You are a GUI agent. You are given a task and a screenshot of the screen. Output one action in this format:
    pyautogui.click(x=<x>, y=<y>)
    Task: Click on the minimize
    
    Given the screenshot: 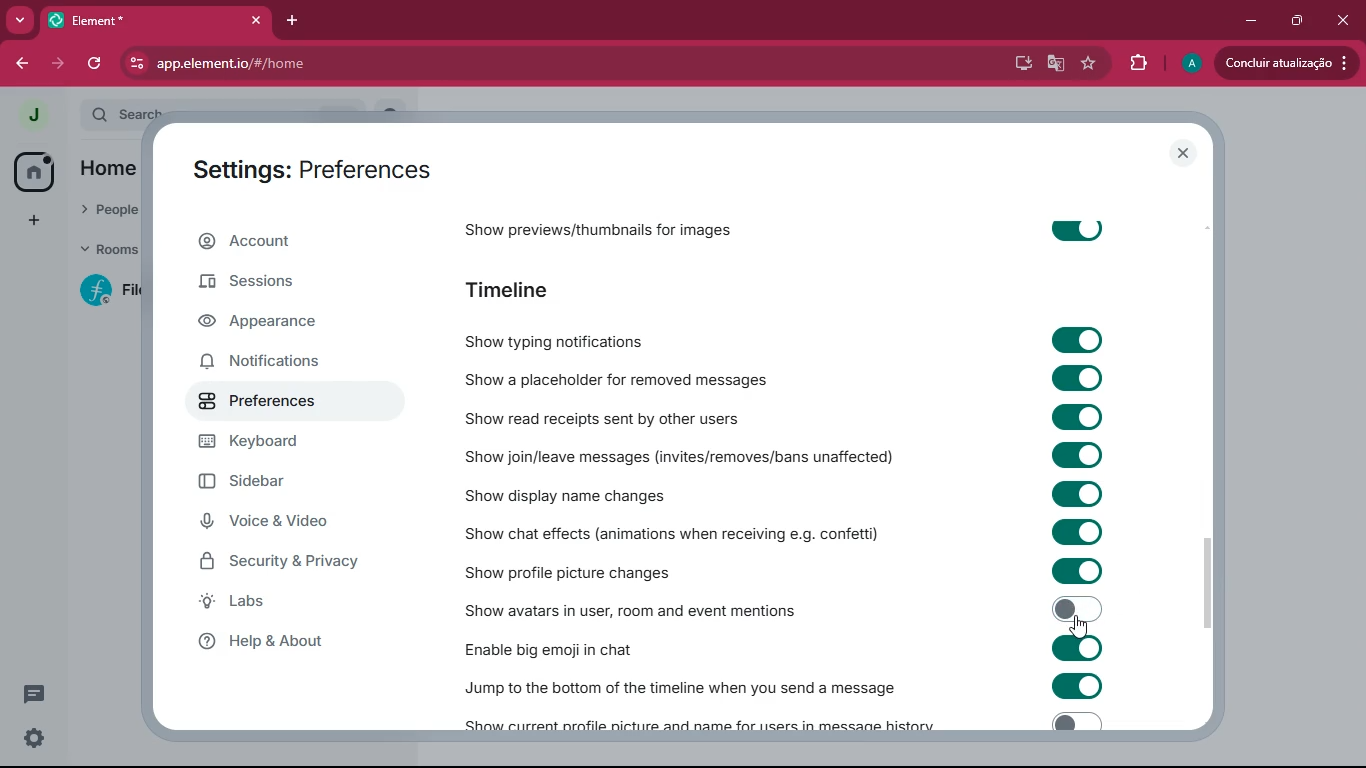 What is the action you would take?
    pyautogui.click(x=1252, y=19)
    